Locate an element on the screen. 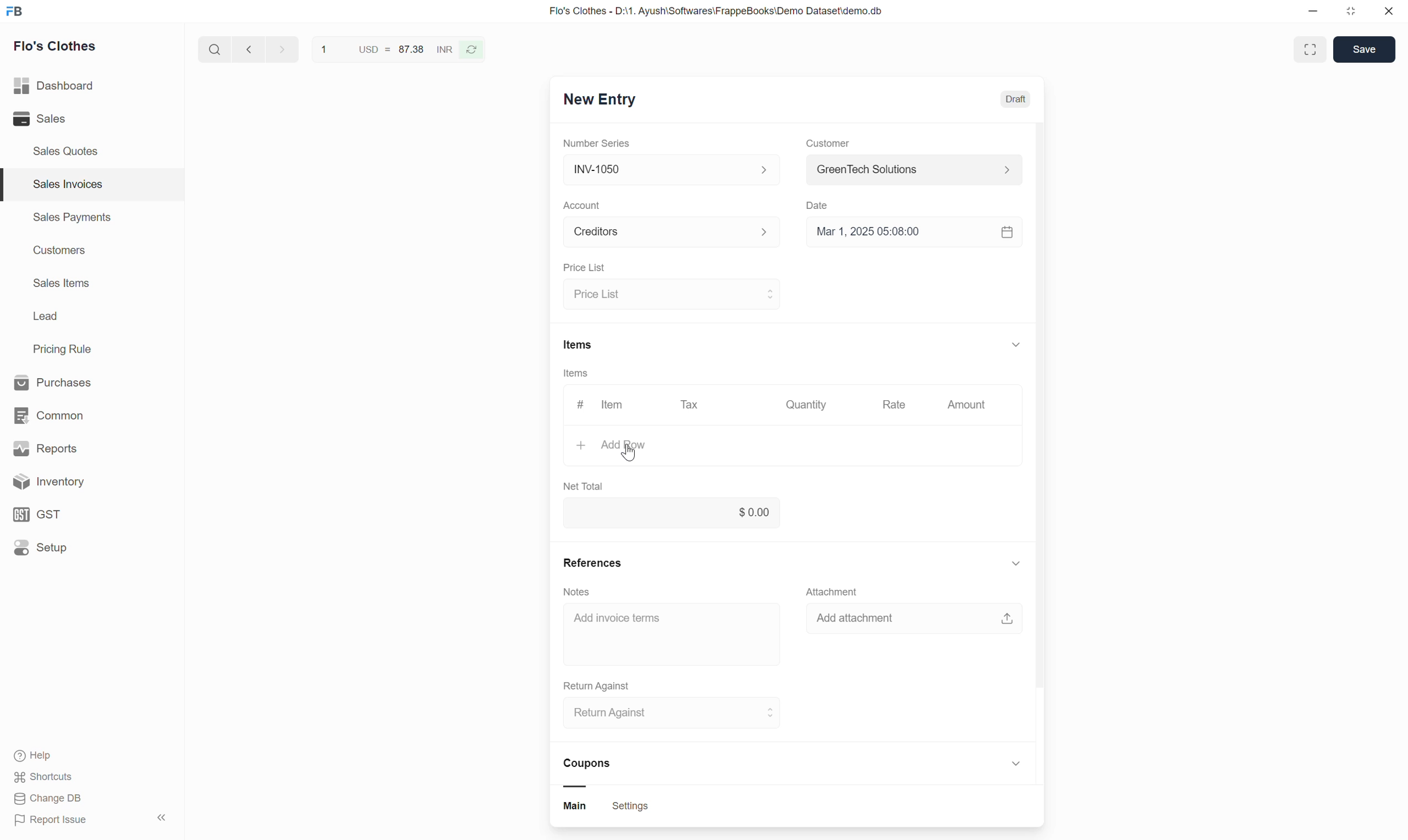 This screenshot has width=1408, height=840. Add row is located at coordinates (772, 448).